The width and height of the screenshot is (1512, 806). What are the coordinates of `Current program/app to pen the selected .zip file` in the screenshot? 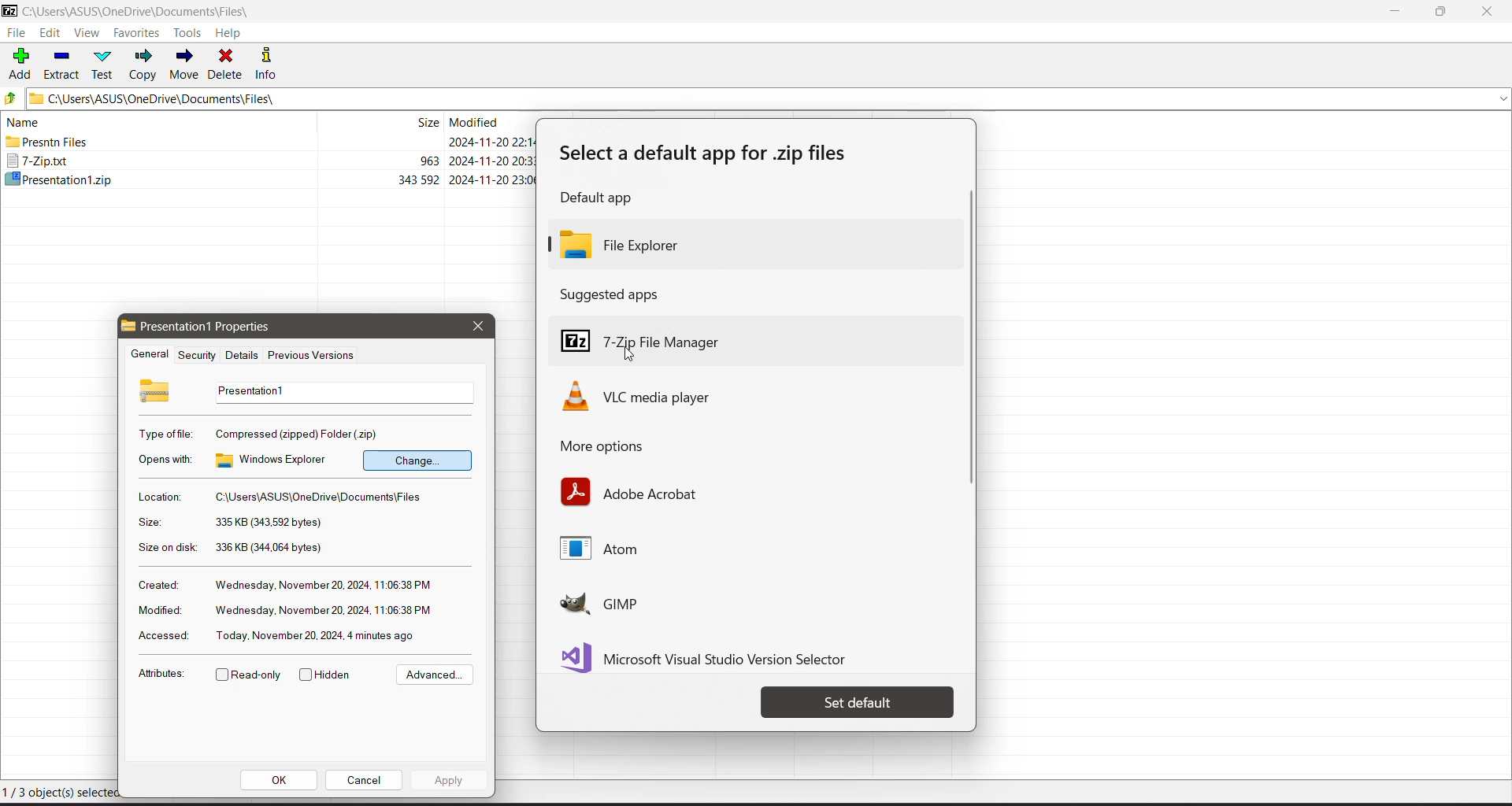 It's located at (276, 460).